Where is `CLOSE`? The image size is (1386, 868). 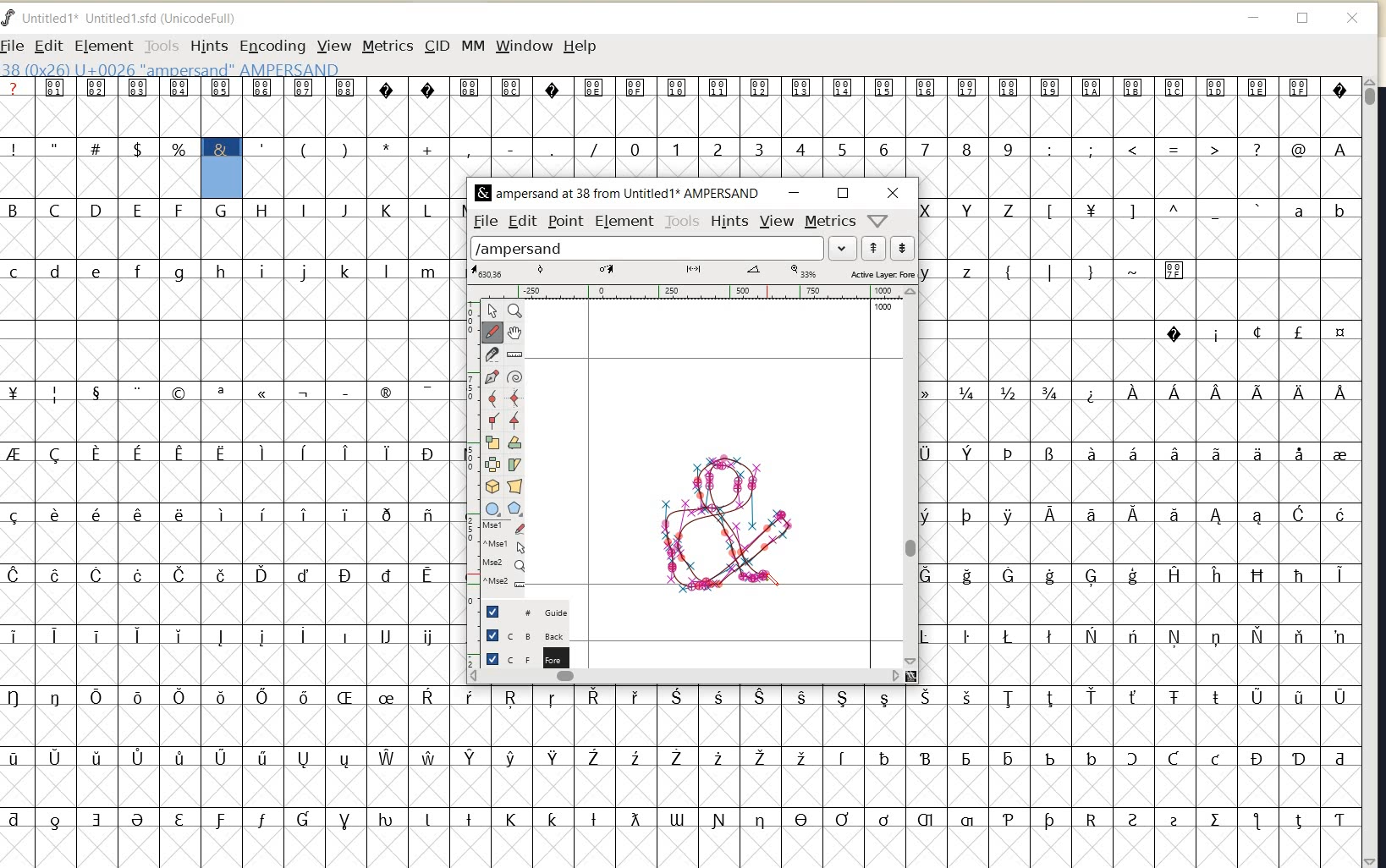
CLOSE is located at coordinates (896, 192).